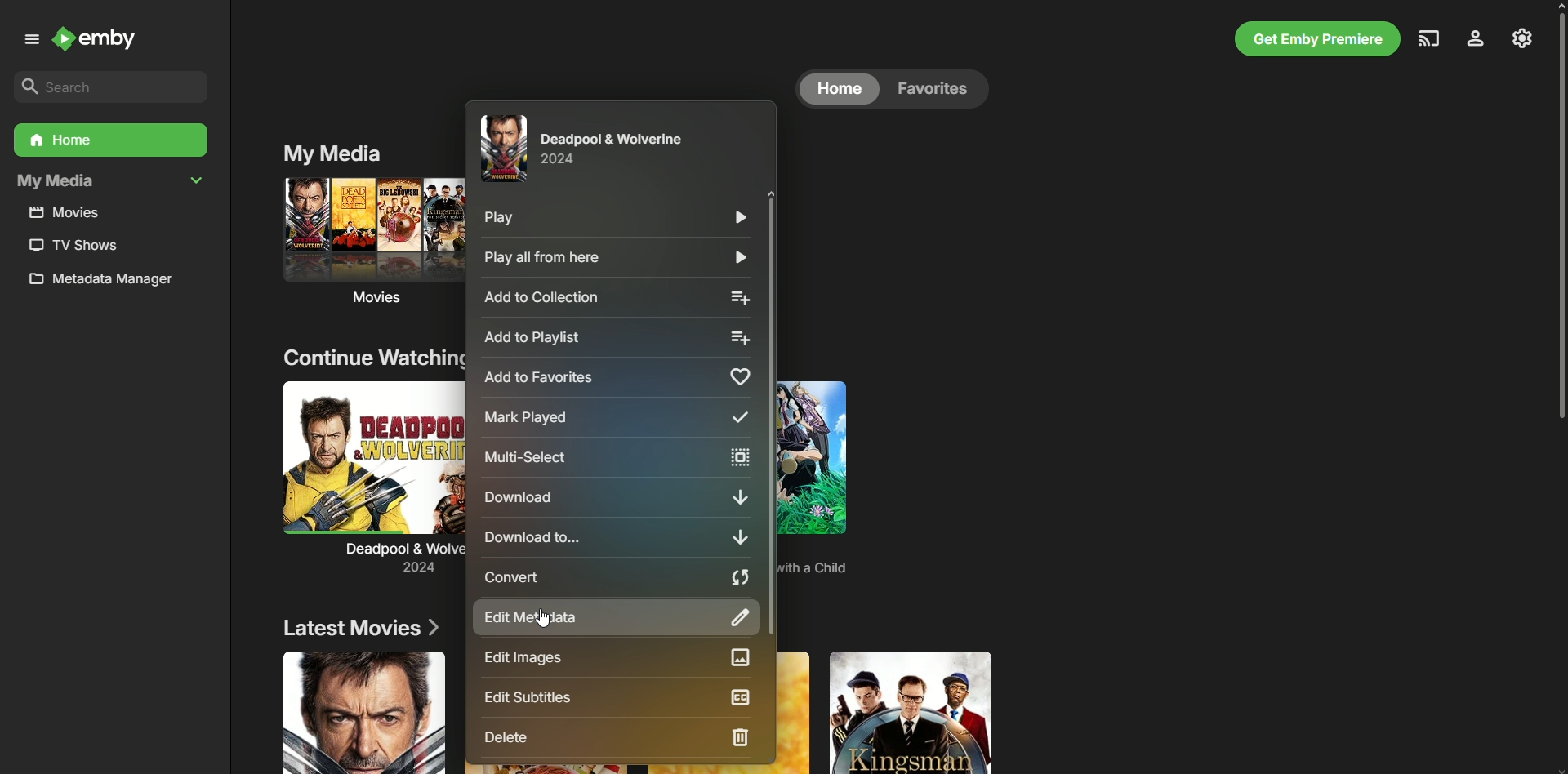 The width and height of the screenshot is (1568, 774). What do you see at coordinates (71, 245) in the screenshot?
I see `TV Shows` at bounding box center [71, 245].